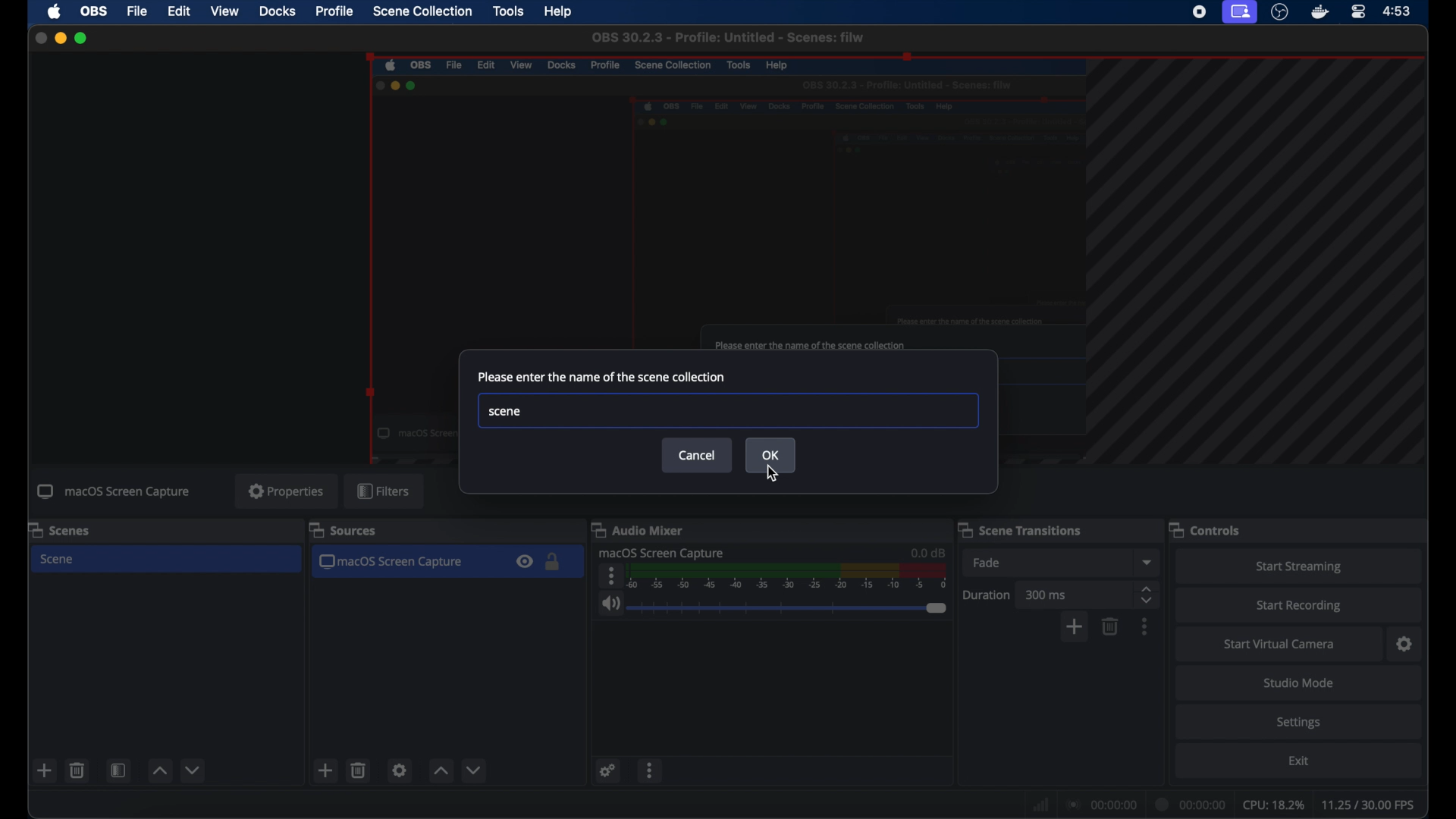 The image size is (1456, 819). What do you see at coordinates (1146, 626) in the screenshot?
I see `more options` at bounding box center [1146, 626].